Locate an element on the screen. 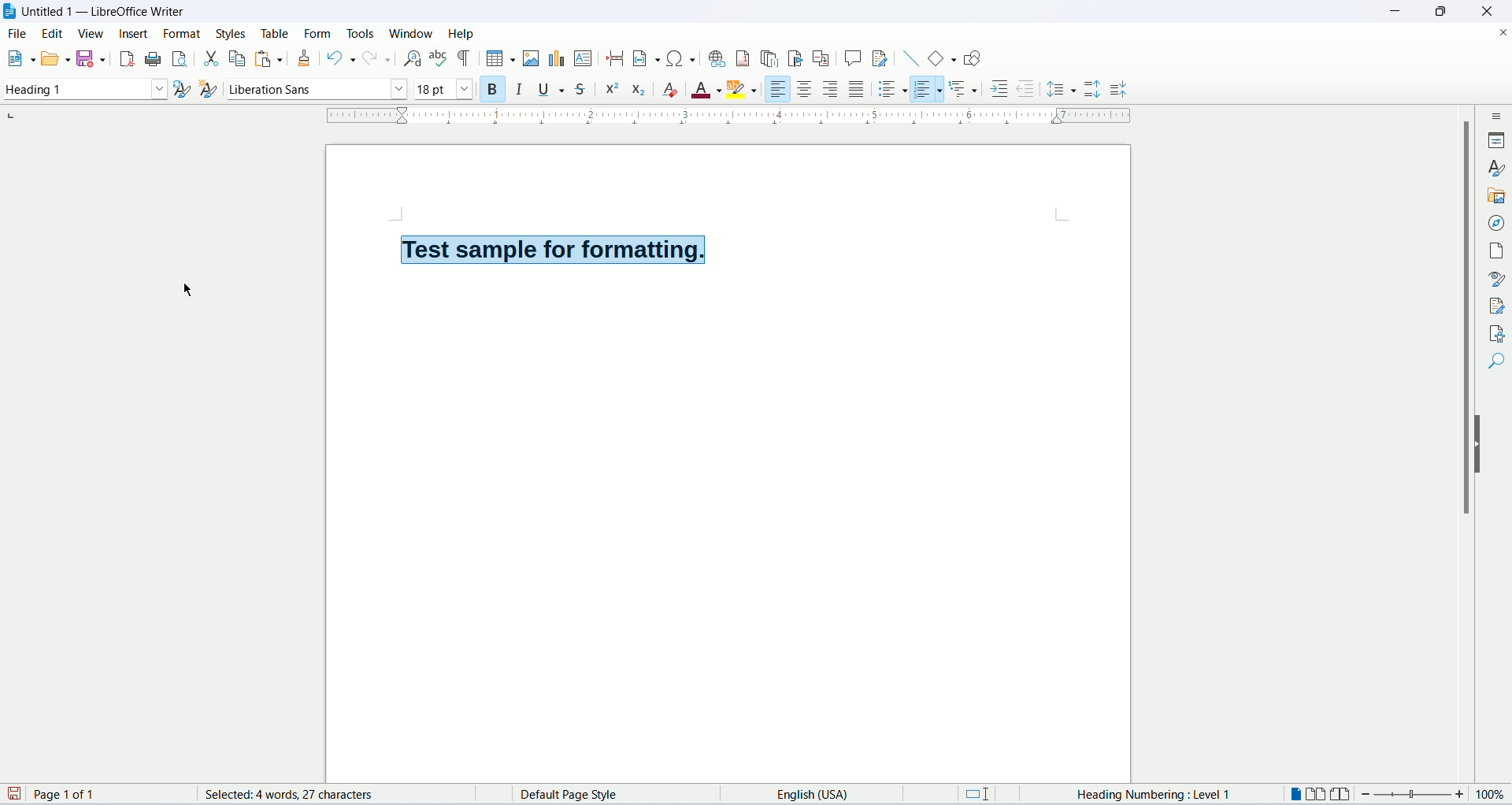 Image resolution: width=1512 pixels, height=805 pixels. standard selection is located at coordinates (984, 796).